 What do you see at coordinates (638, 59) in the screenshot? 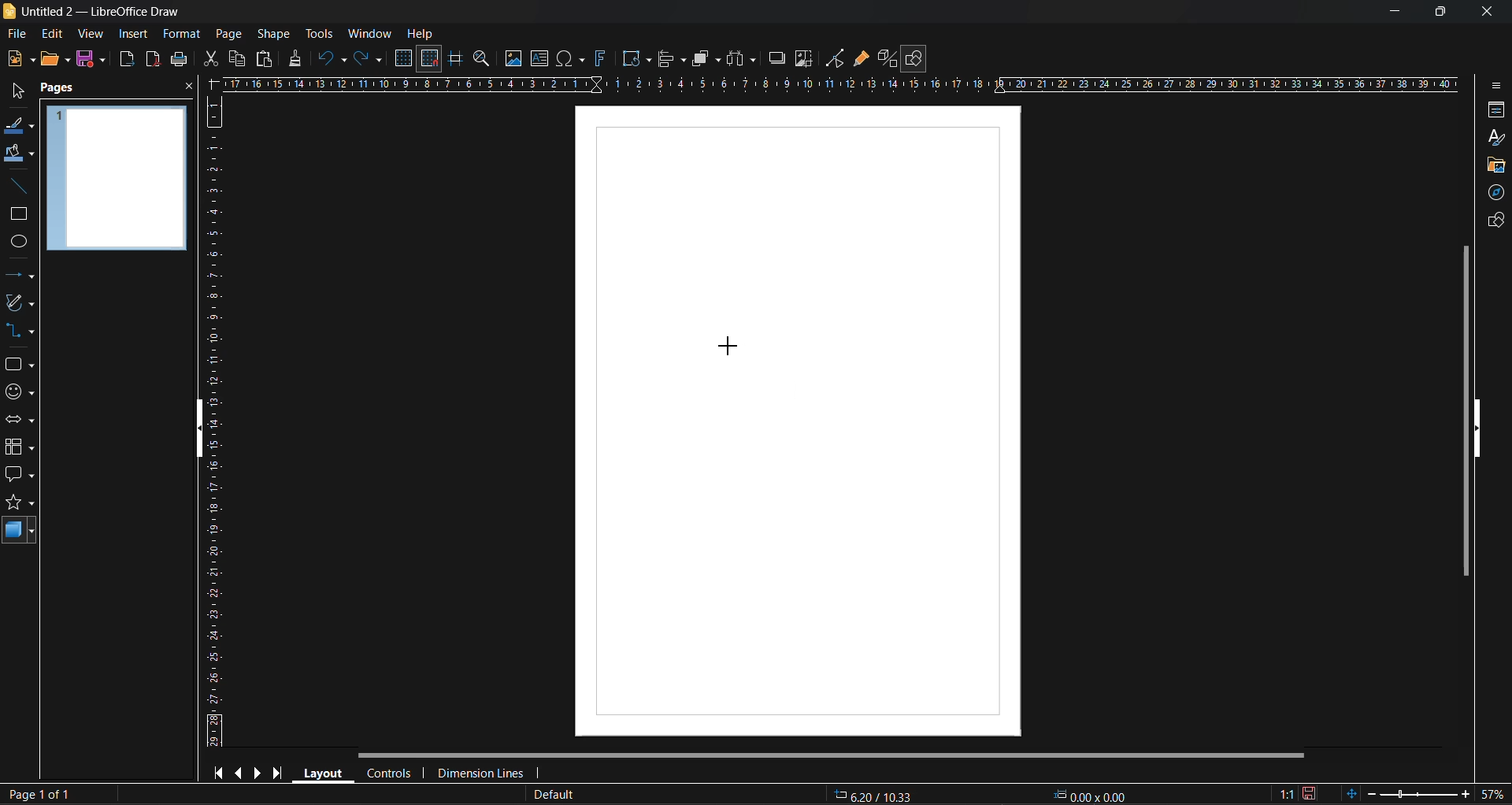
I see `transformations` at bounding box center [638, 59].